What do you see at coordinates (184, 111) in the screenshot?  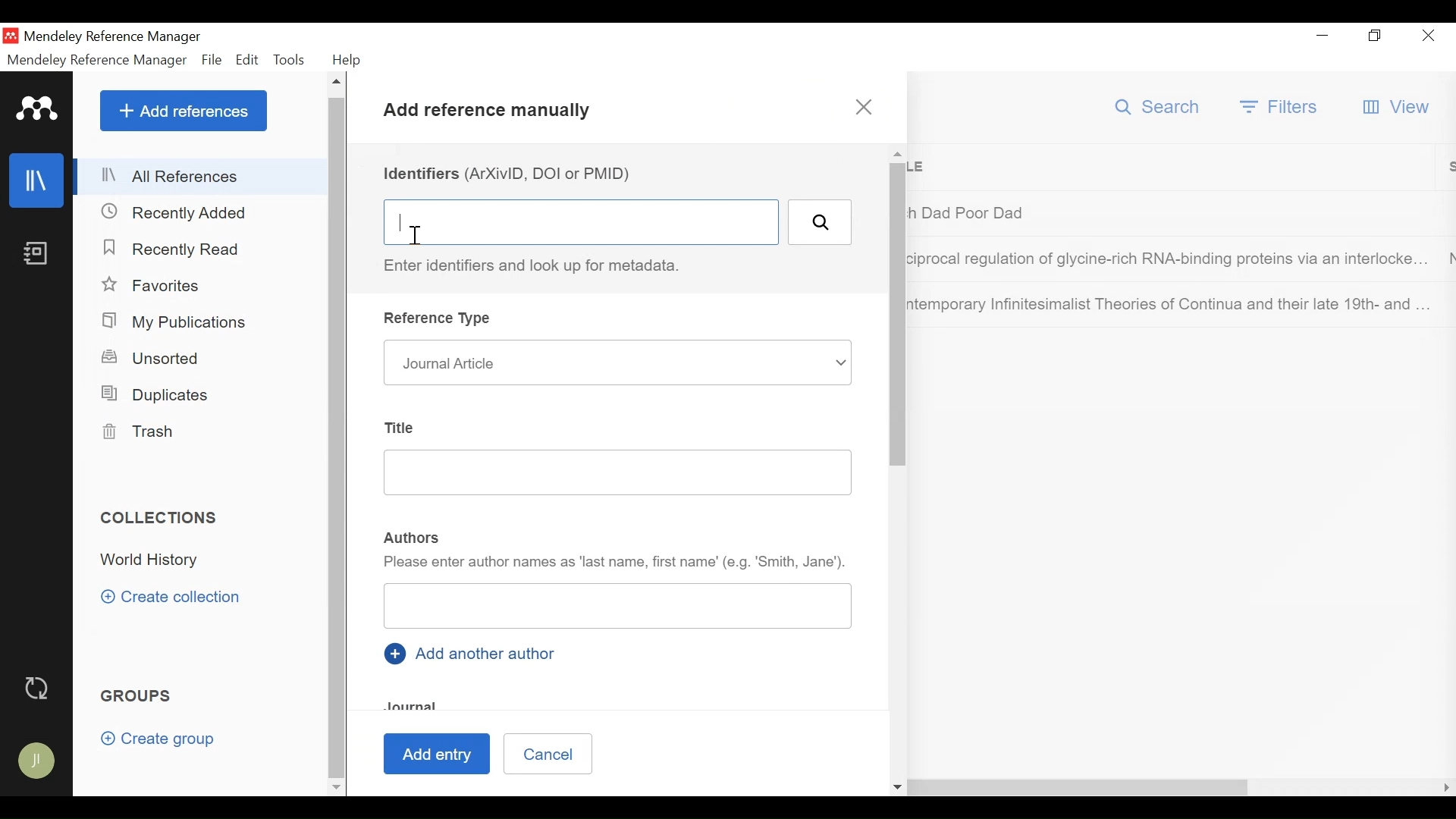 I see `Add References` at bounding box center [184, 111].